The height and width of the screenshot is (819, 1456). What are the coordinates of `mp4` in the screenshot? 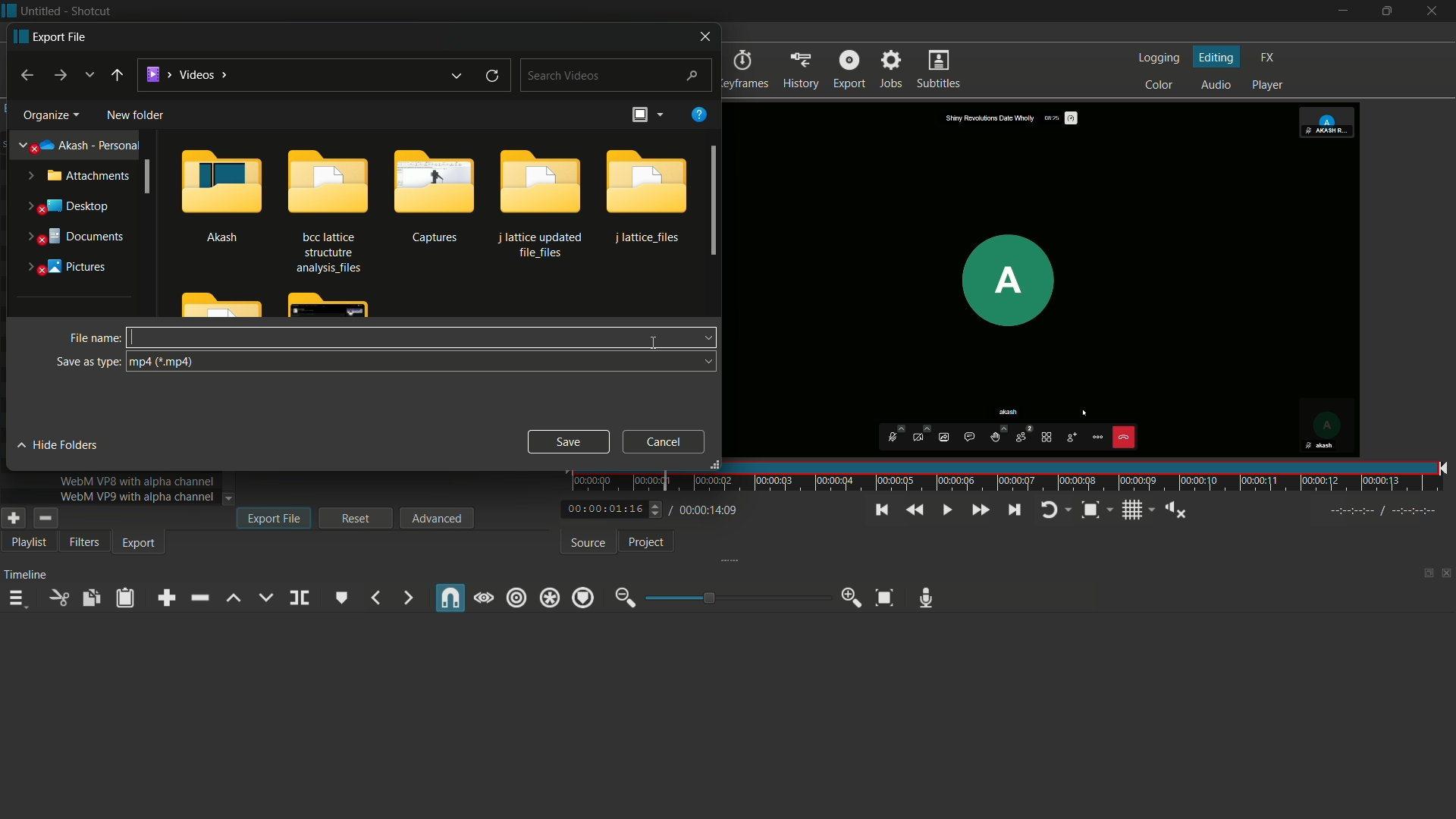 It's located at (165, 362).